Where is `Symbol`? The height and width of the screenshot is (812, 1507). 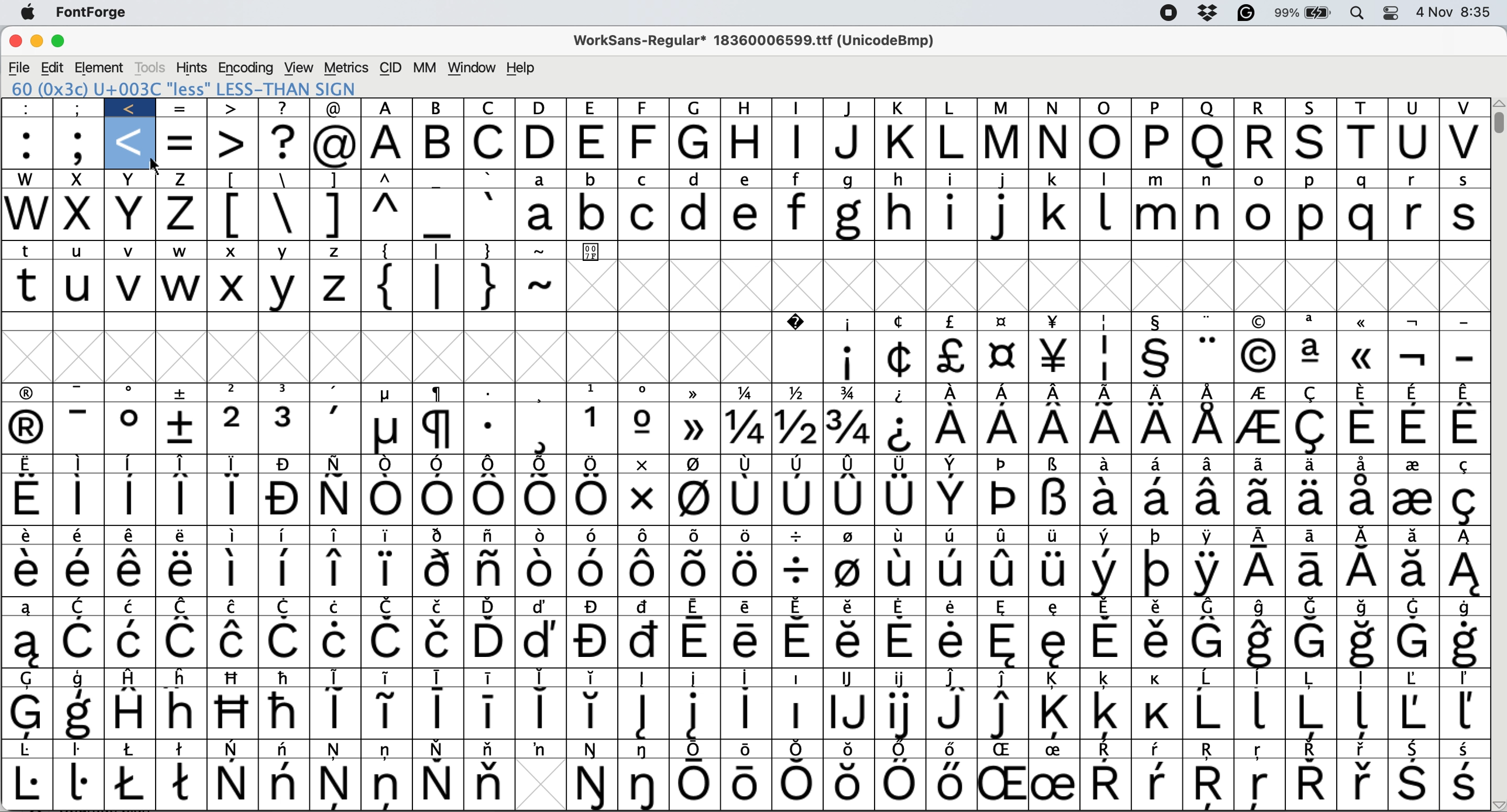
Symbol is located at coordinates (387, 711).